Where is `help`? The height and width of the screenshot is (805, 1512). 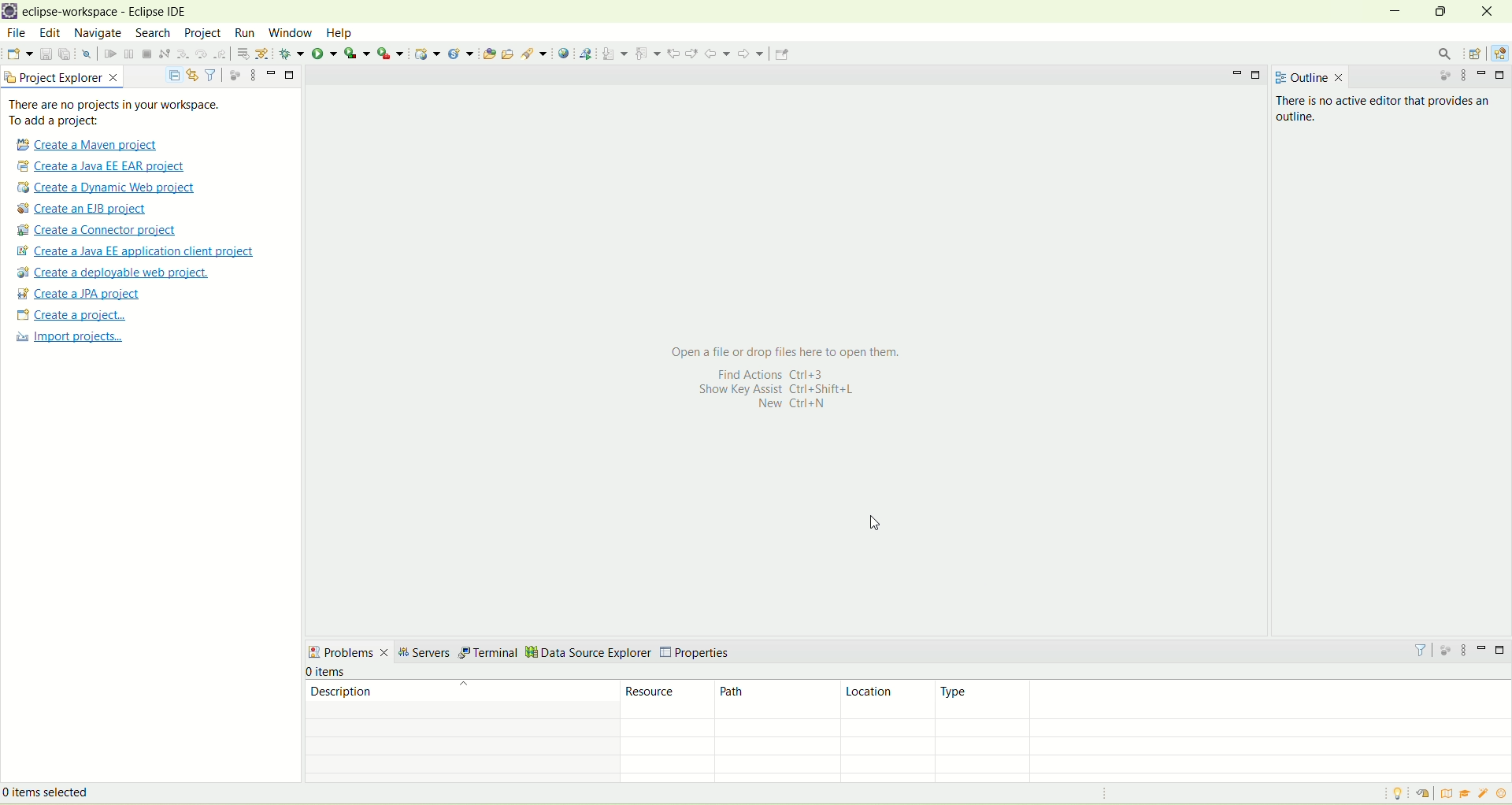 help is located at coordinates (339, 32).